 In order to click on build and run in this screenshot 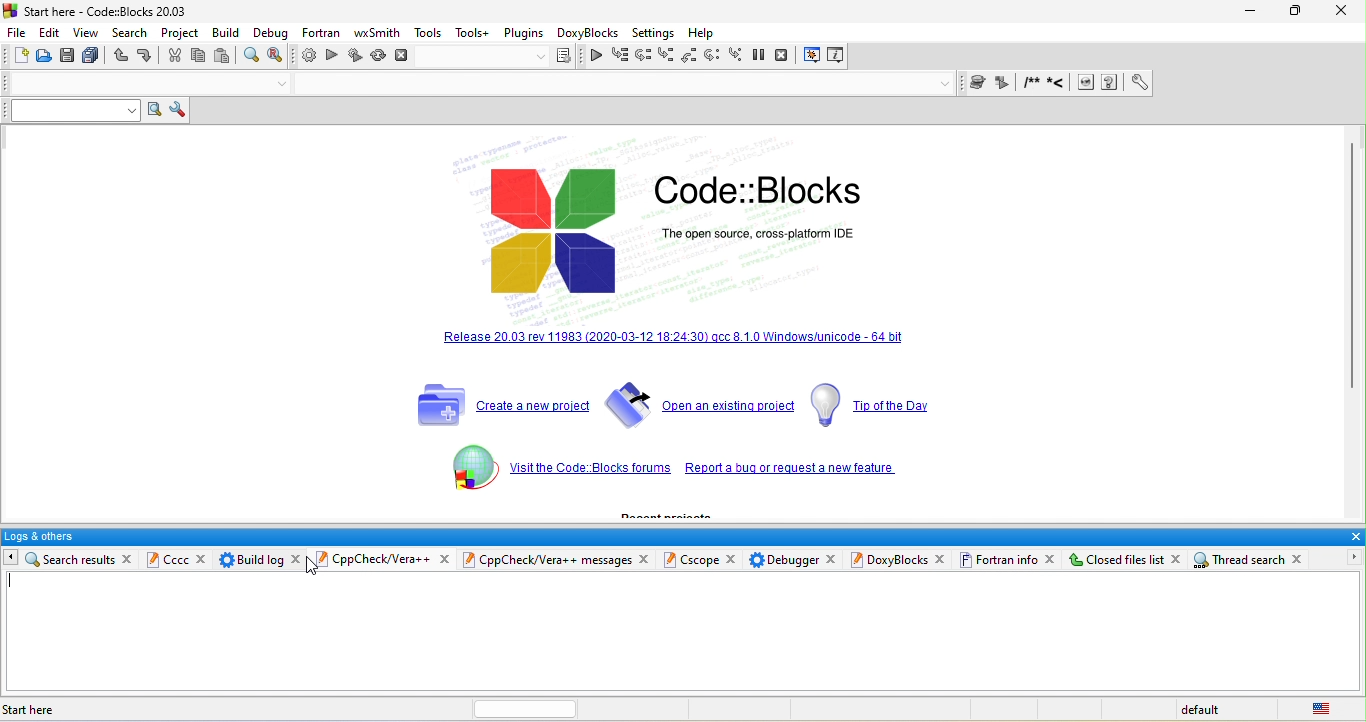, I will do `click(356, 56)`.